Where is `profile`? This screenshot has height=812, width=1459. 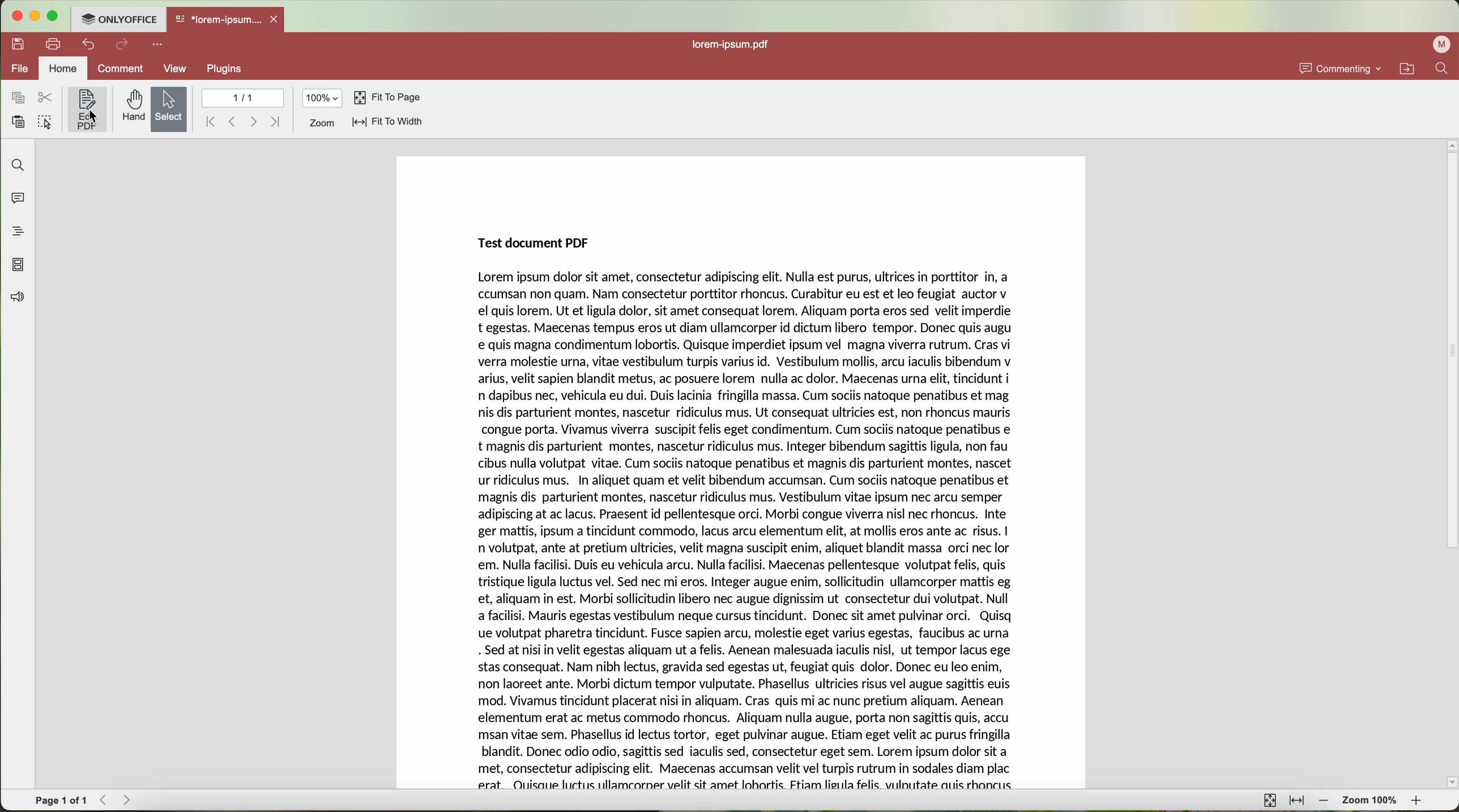
profile is located at coordinates (1444, 44).